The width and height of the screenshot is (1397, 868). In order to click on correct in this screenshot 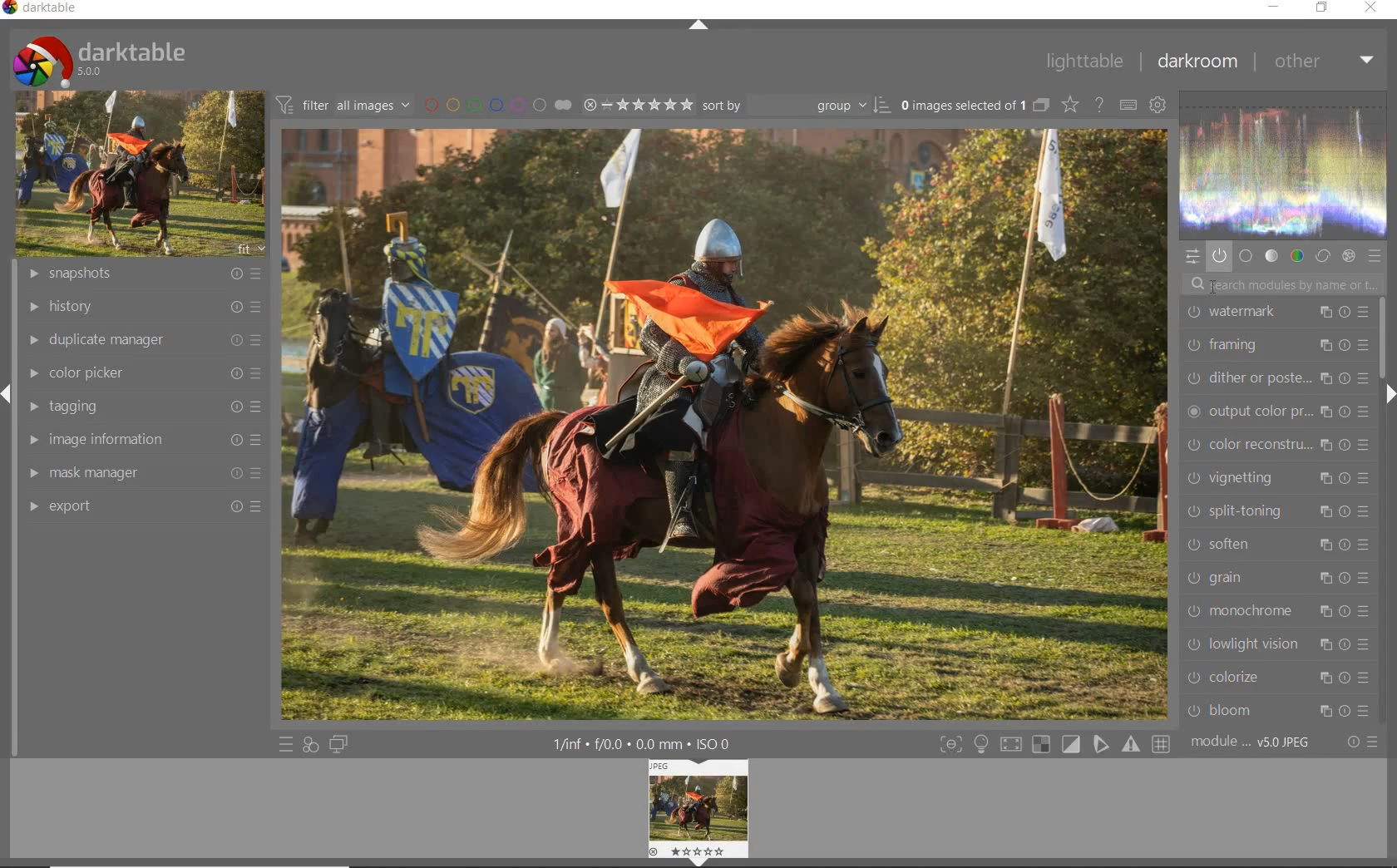, I will do `click(1324, 256)`.